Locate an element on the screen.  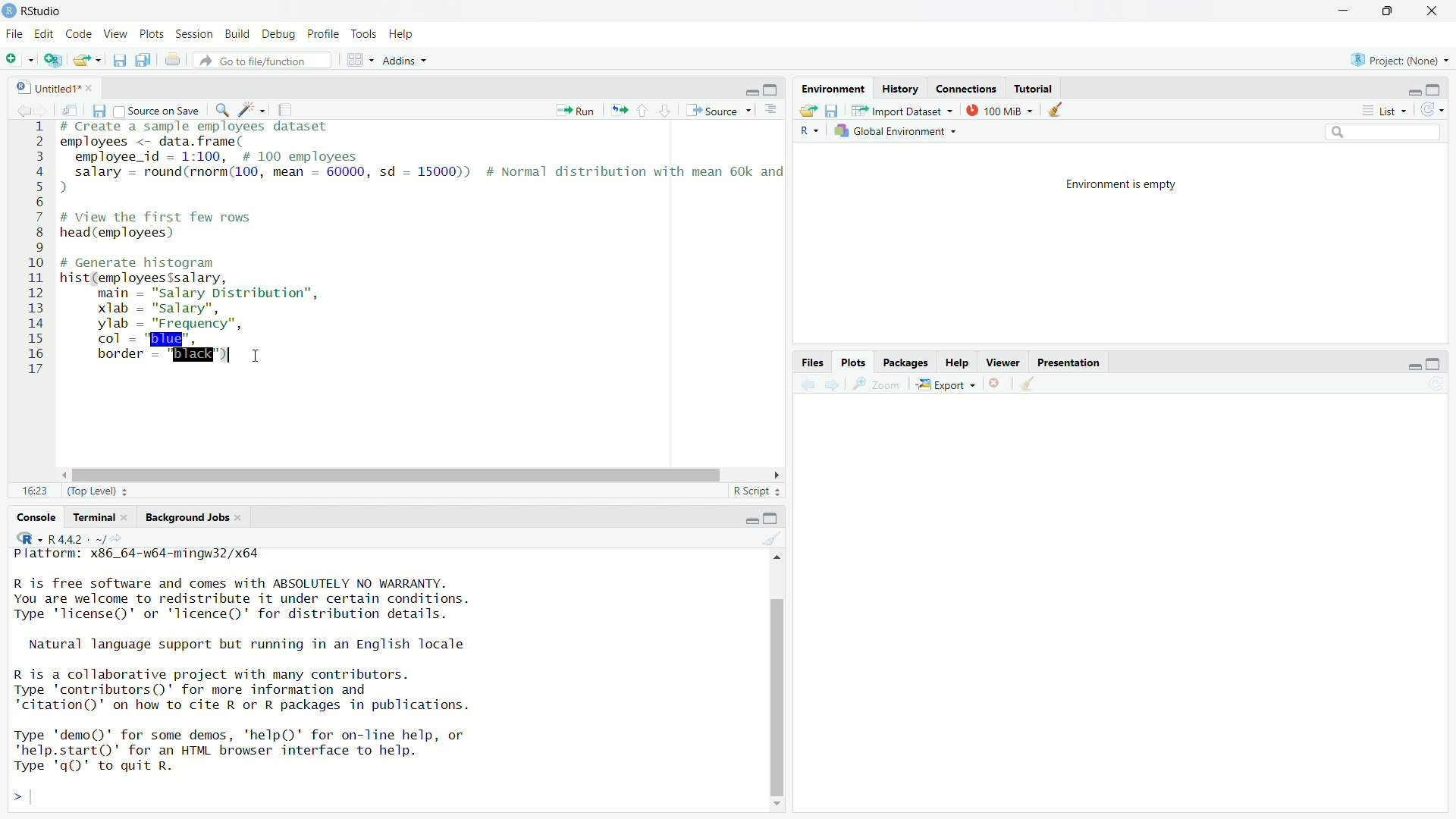
search documnet is located at coordinates (71, 110).